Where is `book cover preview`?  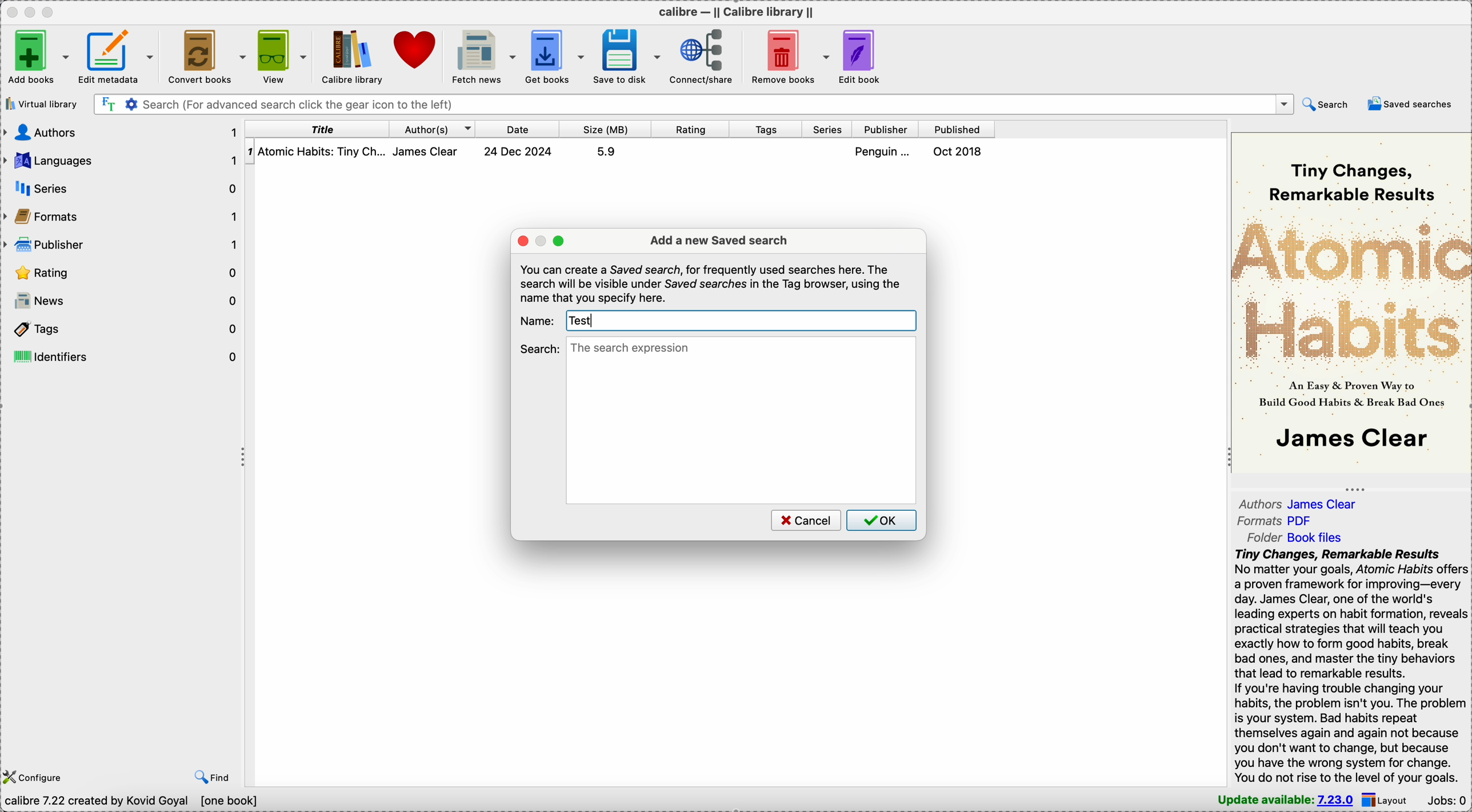
book cover preview is located at coordinates (1350, 301).